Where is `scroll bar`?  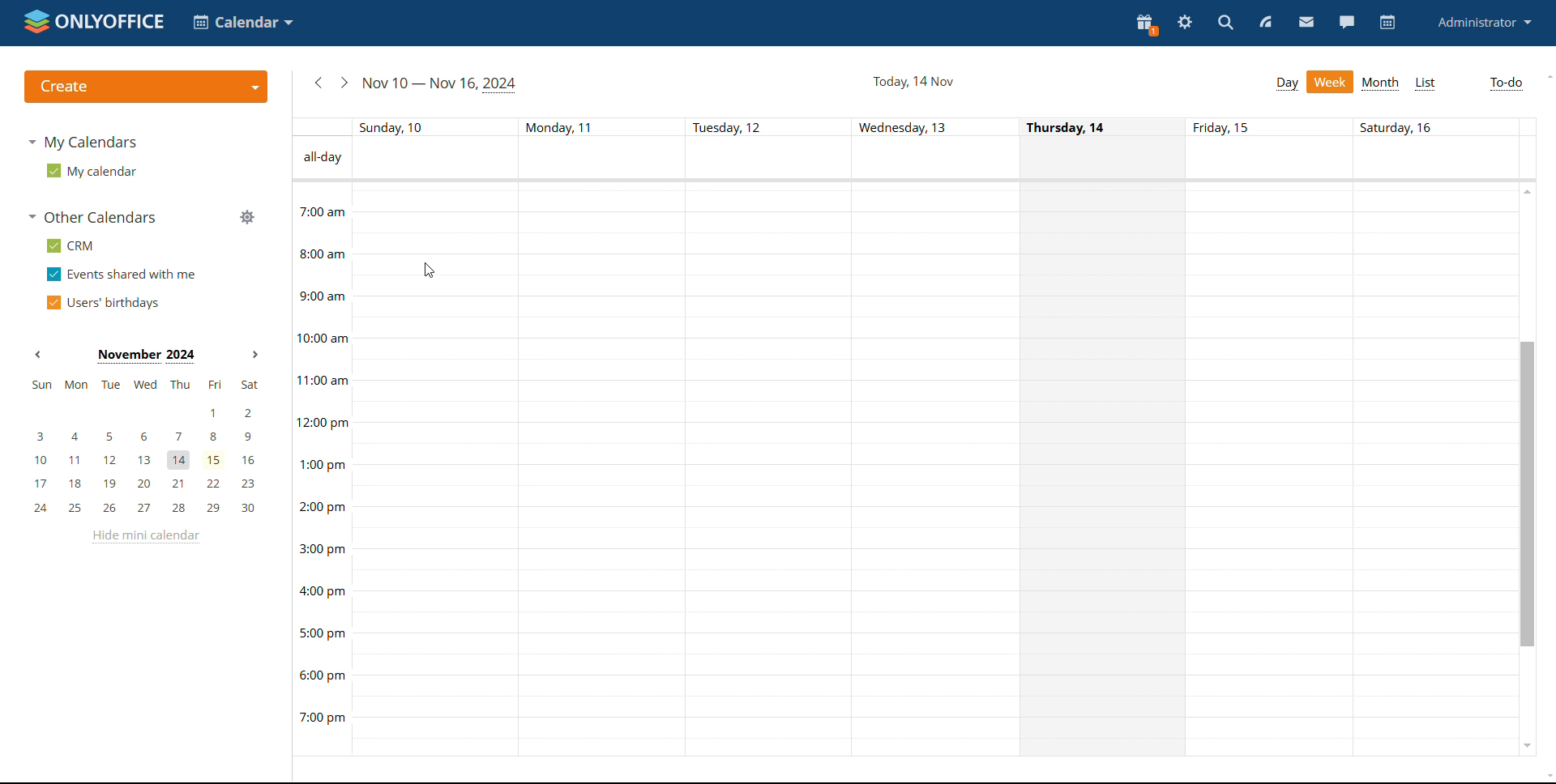
scroll bar is located at coordinates (1525, 492).